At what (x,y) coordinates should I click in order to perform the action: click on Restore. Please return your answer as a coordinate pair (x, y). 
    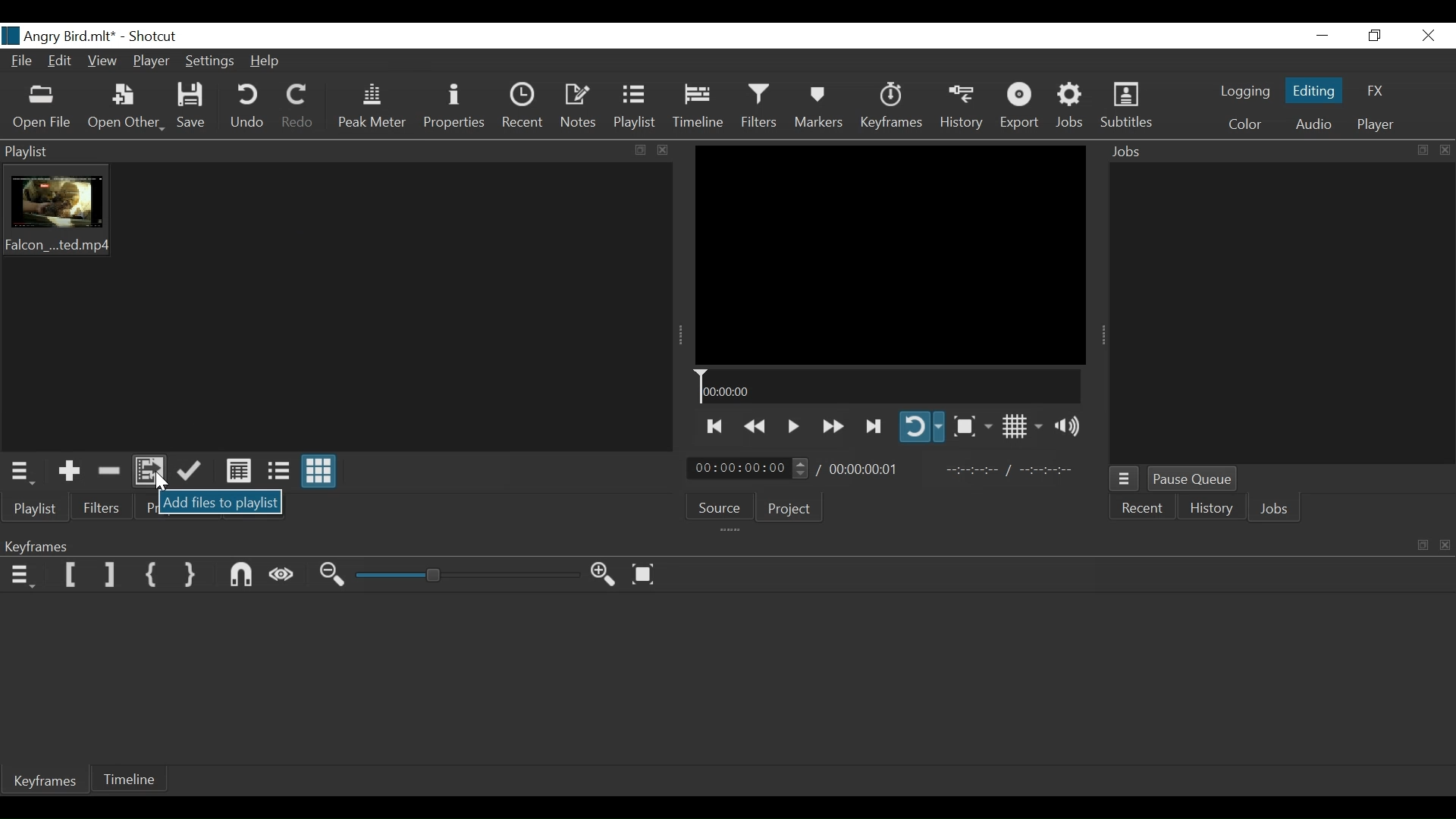
    Looking at the image, I should click on (1376, 36).